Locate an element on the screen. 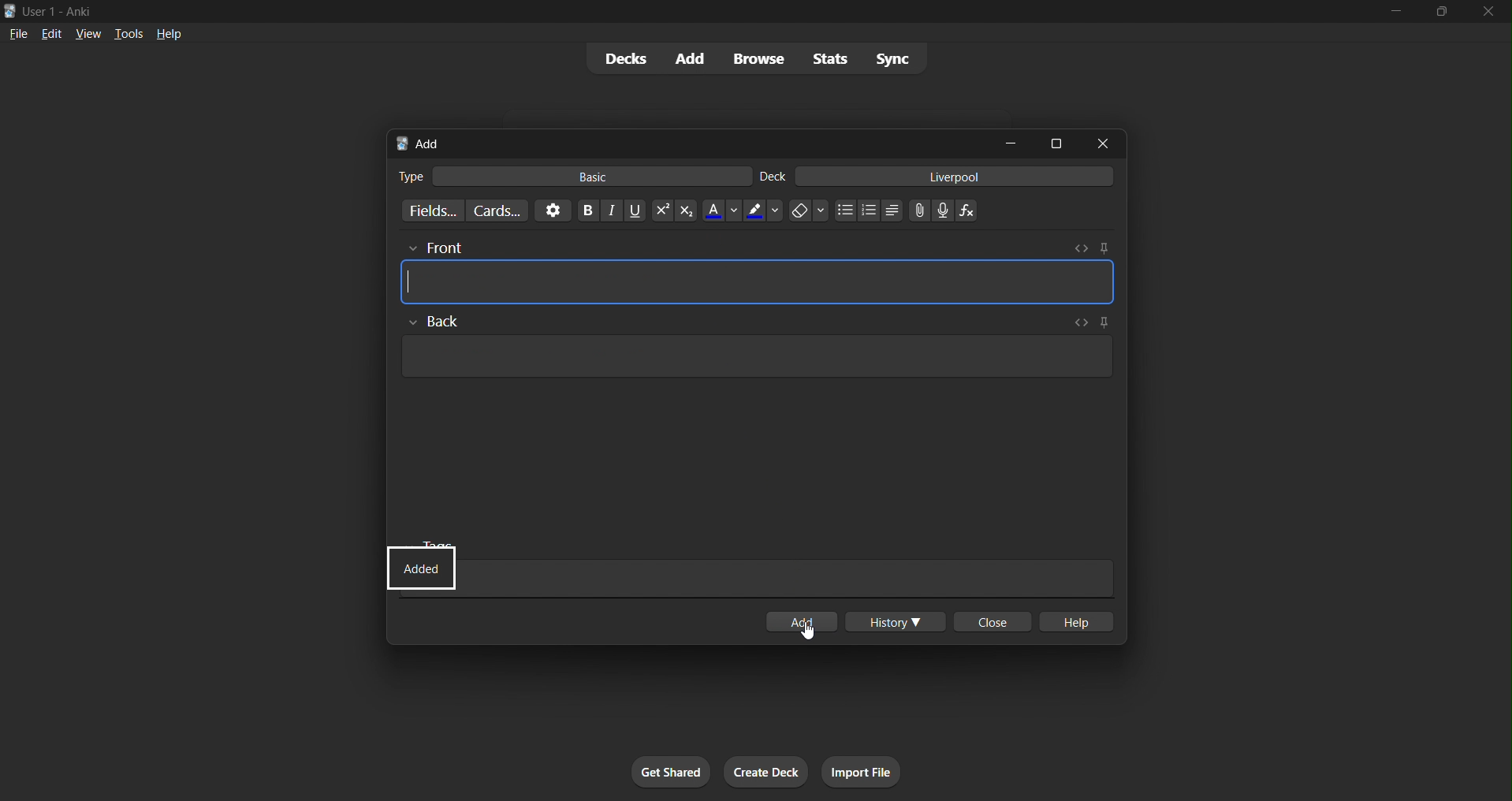 The height and width of the screenshot is (801, 1512). options is located at coordinates (551, 210).